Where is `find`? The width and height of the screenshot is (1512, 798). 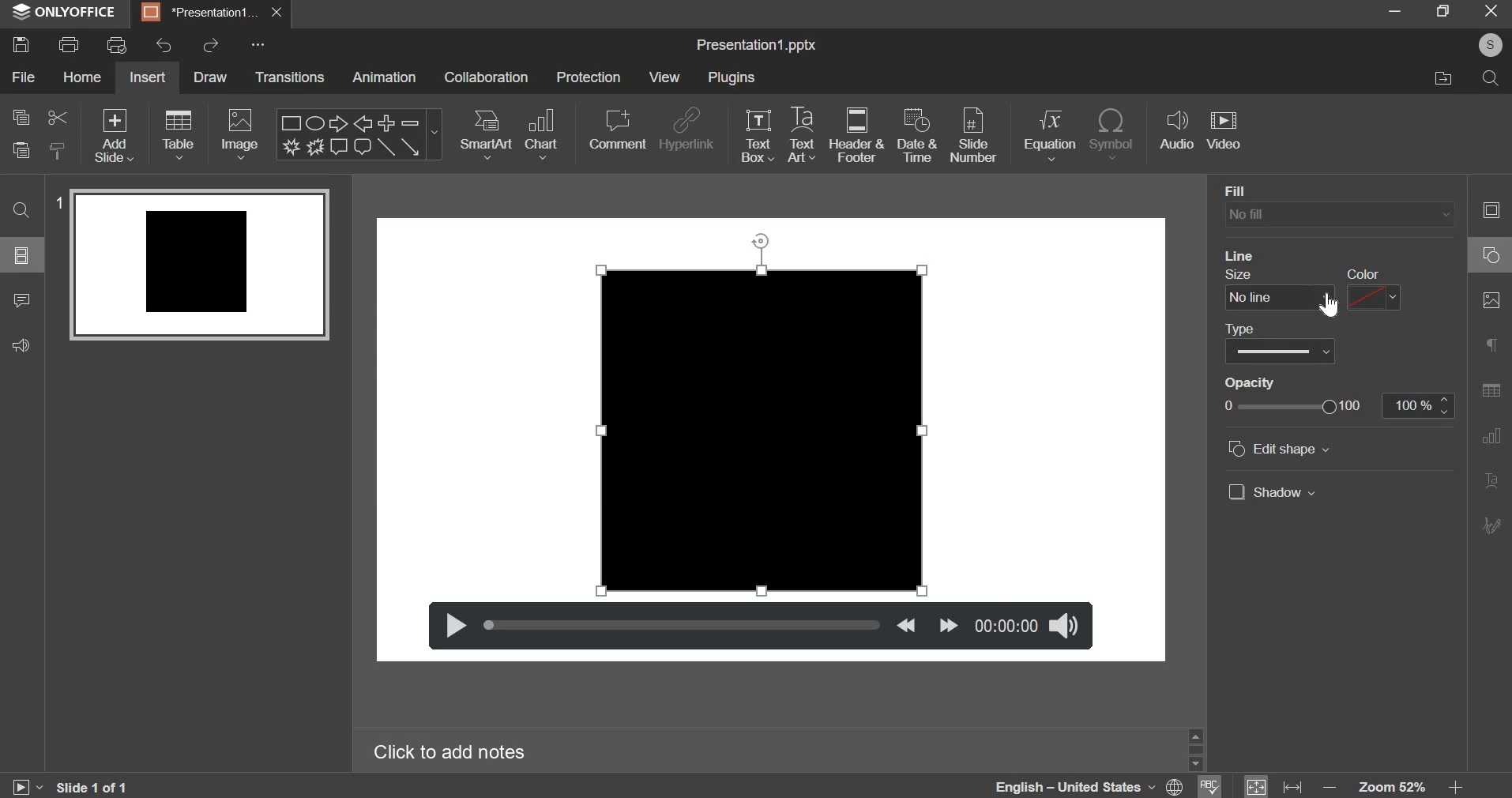
find is located at coordinates (22, 209).